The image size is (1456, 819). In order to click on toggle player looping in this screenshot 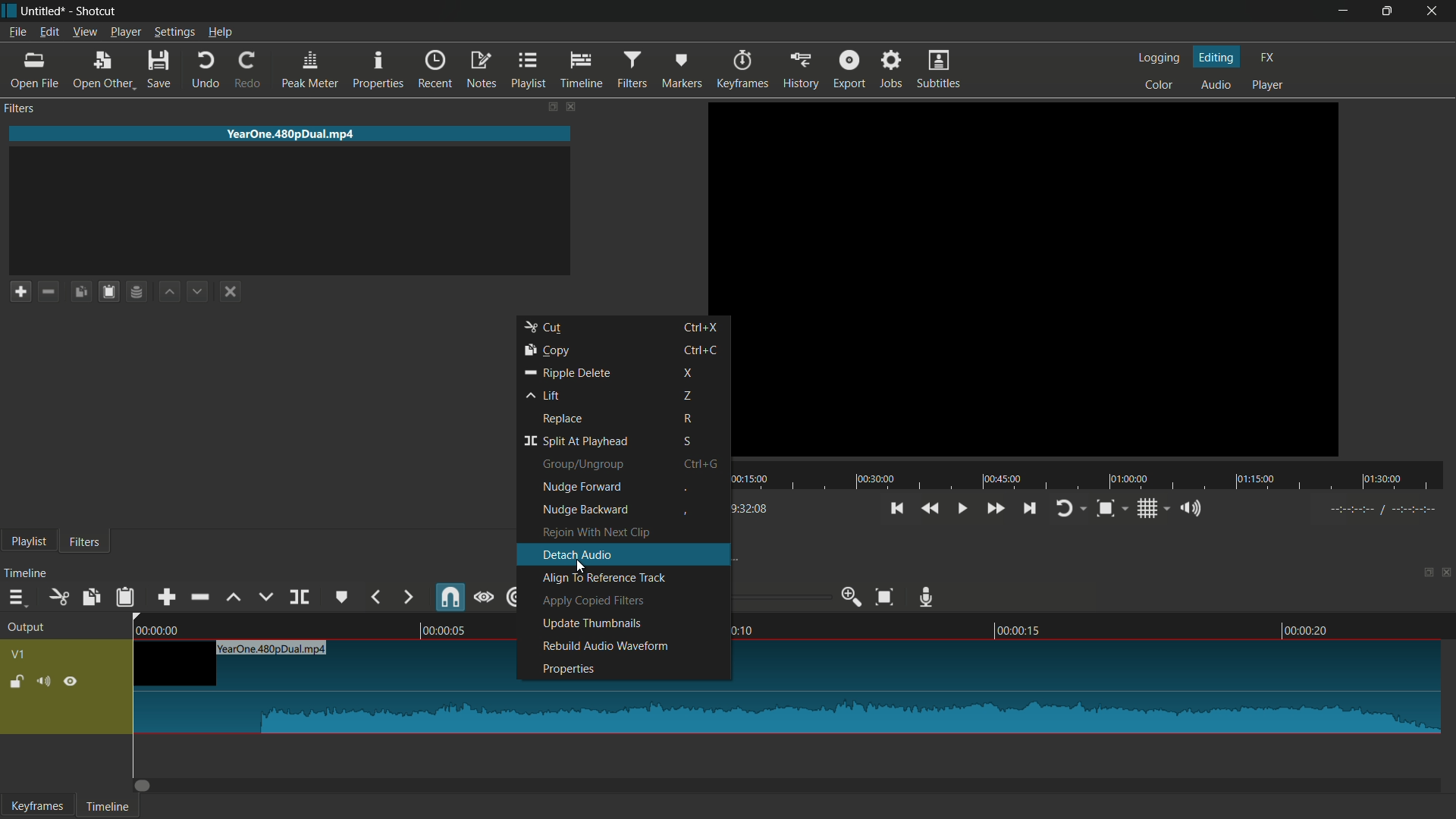, I will do `click(1064, 510)`.